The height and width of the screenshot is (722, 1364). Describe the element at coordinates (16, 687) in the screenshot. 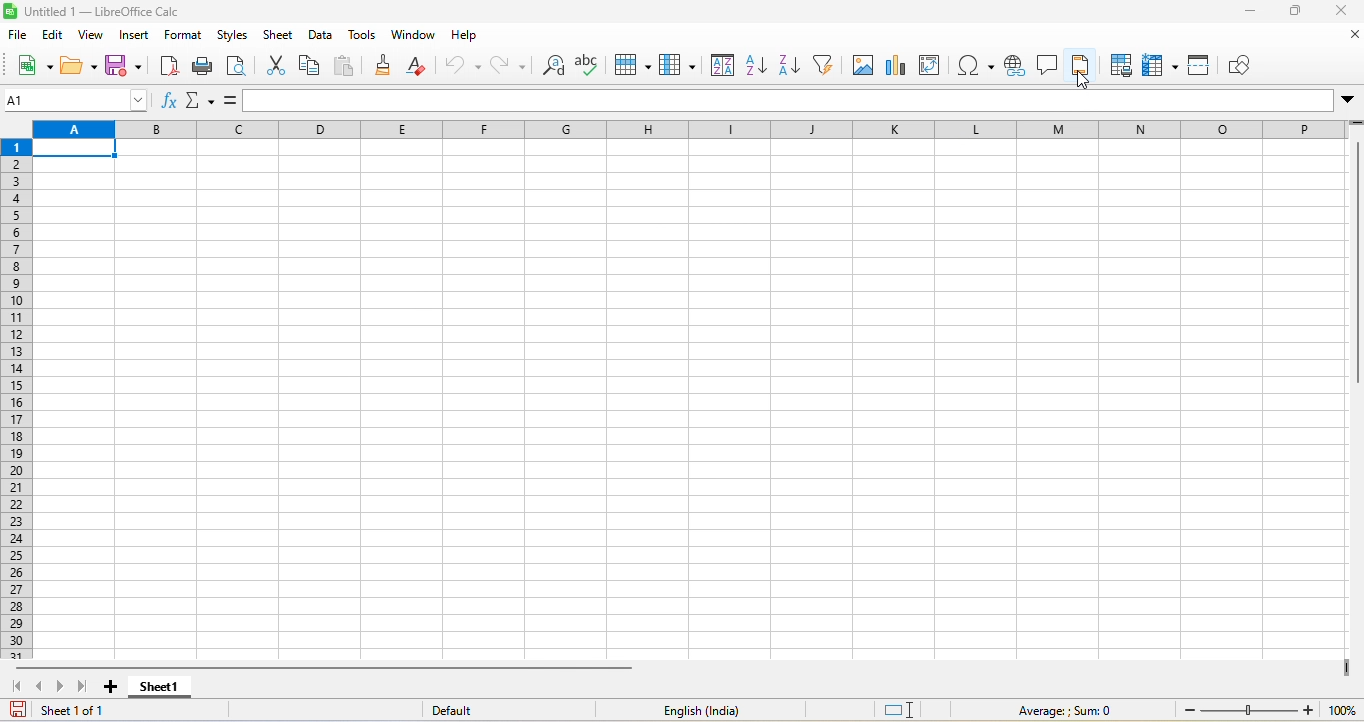

I see `first sheet` at that location.